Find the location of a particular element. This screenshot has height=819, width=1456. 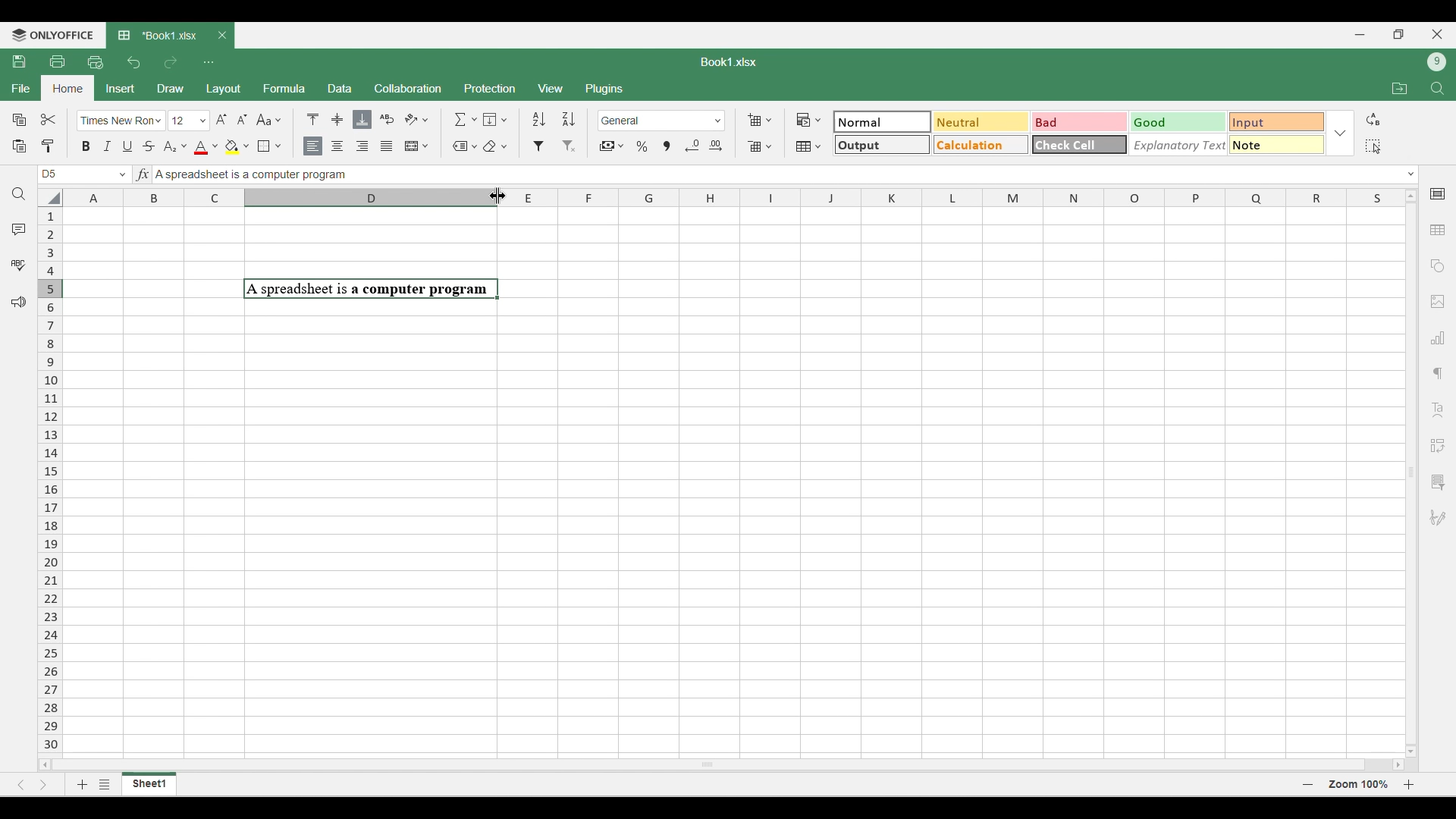

Paste is located at coordinates (18, 146).